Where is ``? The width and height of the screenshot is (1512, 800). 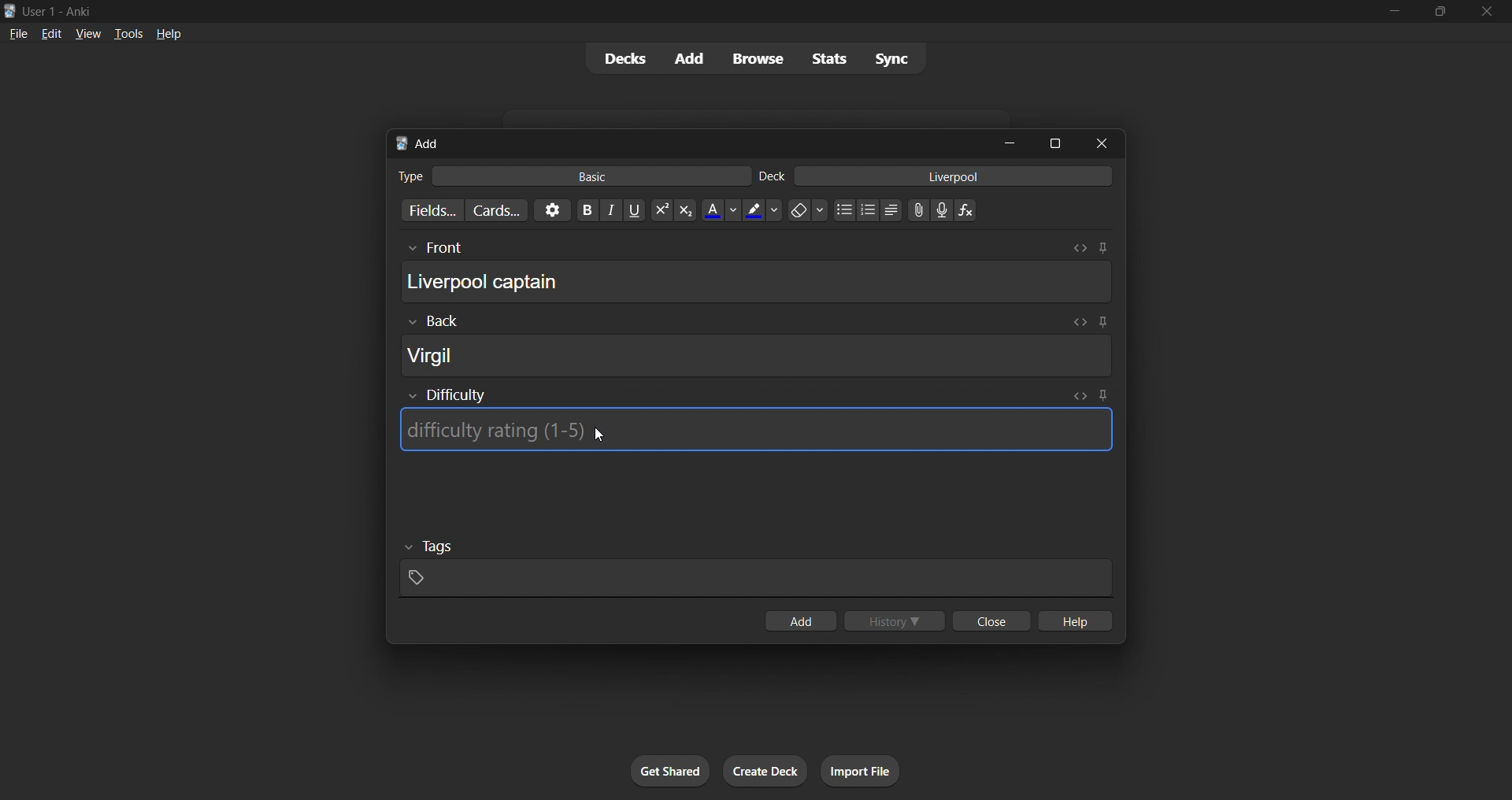
 is located at coordinates (434, 249).